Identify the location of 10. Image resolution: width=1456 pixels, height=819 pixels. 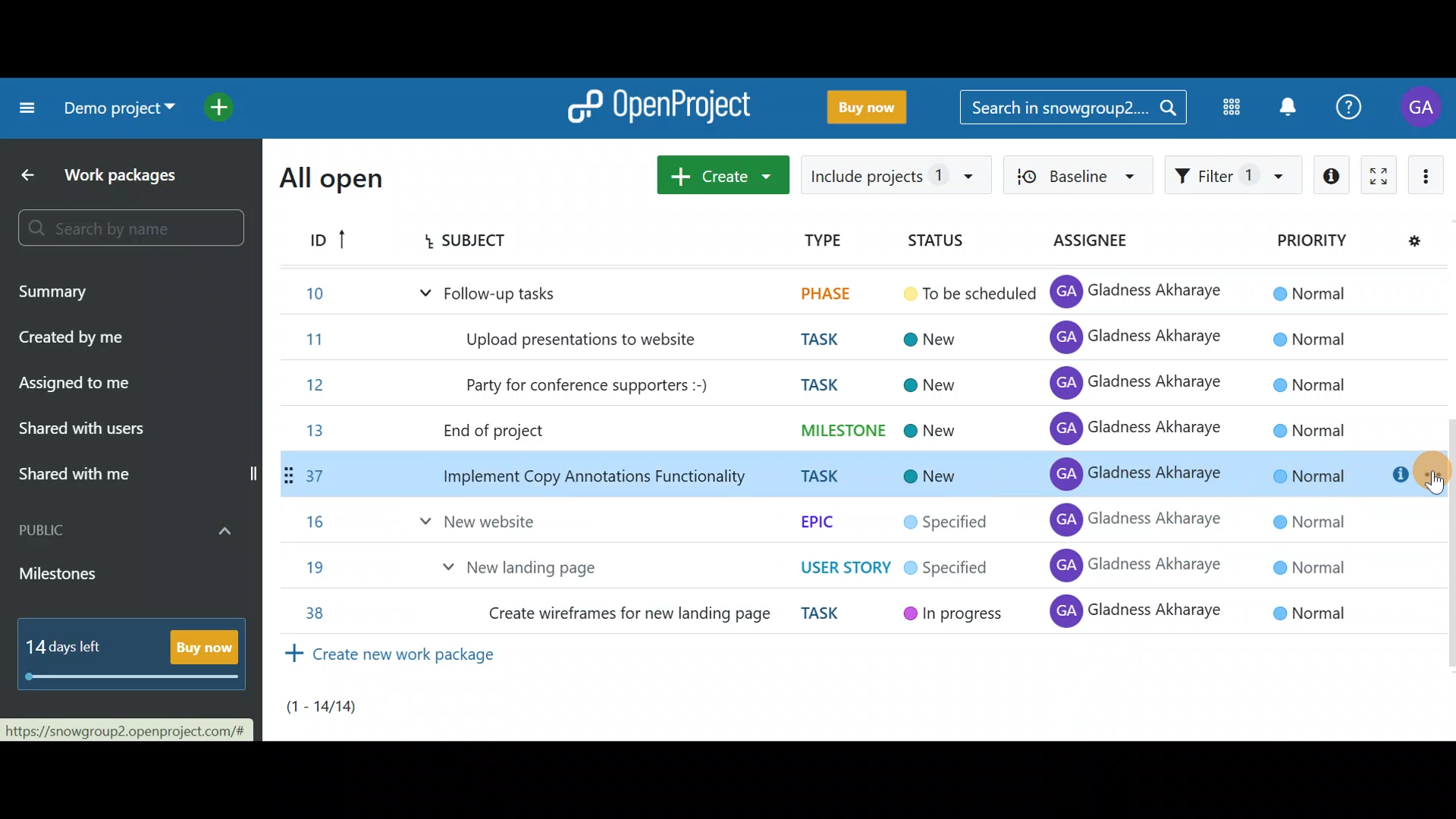
(308, 297).